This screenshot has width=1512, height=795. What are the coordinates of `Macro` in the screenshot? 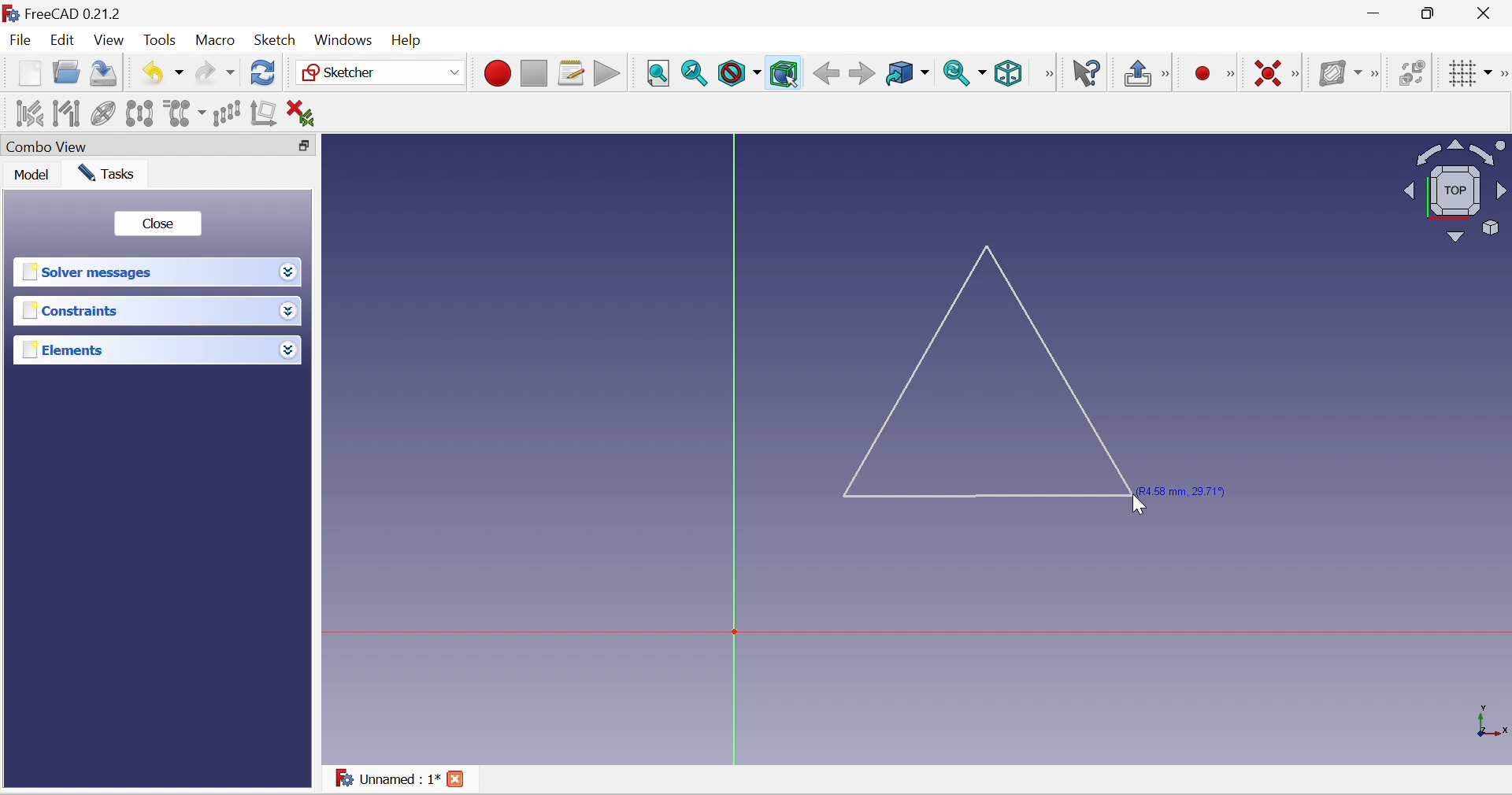 It's located at (213, 41).